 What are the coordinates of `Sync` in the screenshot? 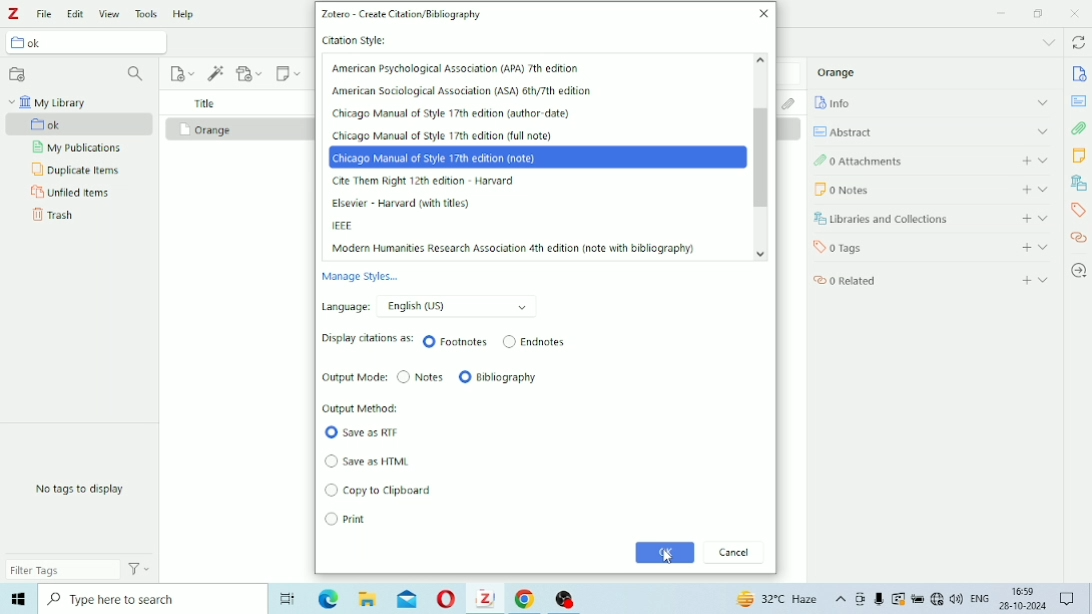 It's located at (1078, 44).